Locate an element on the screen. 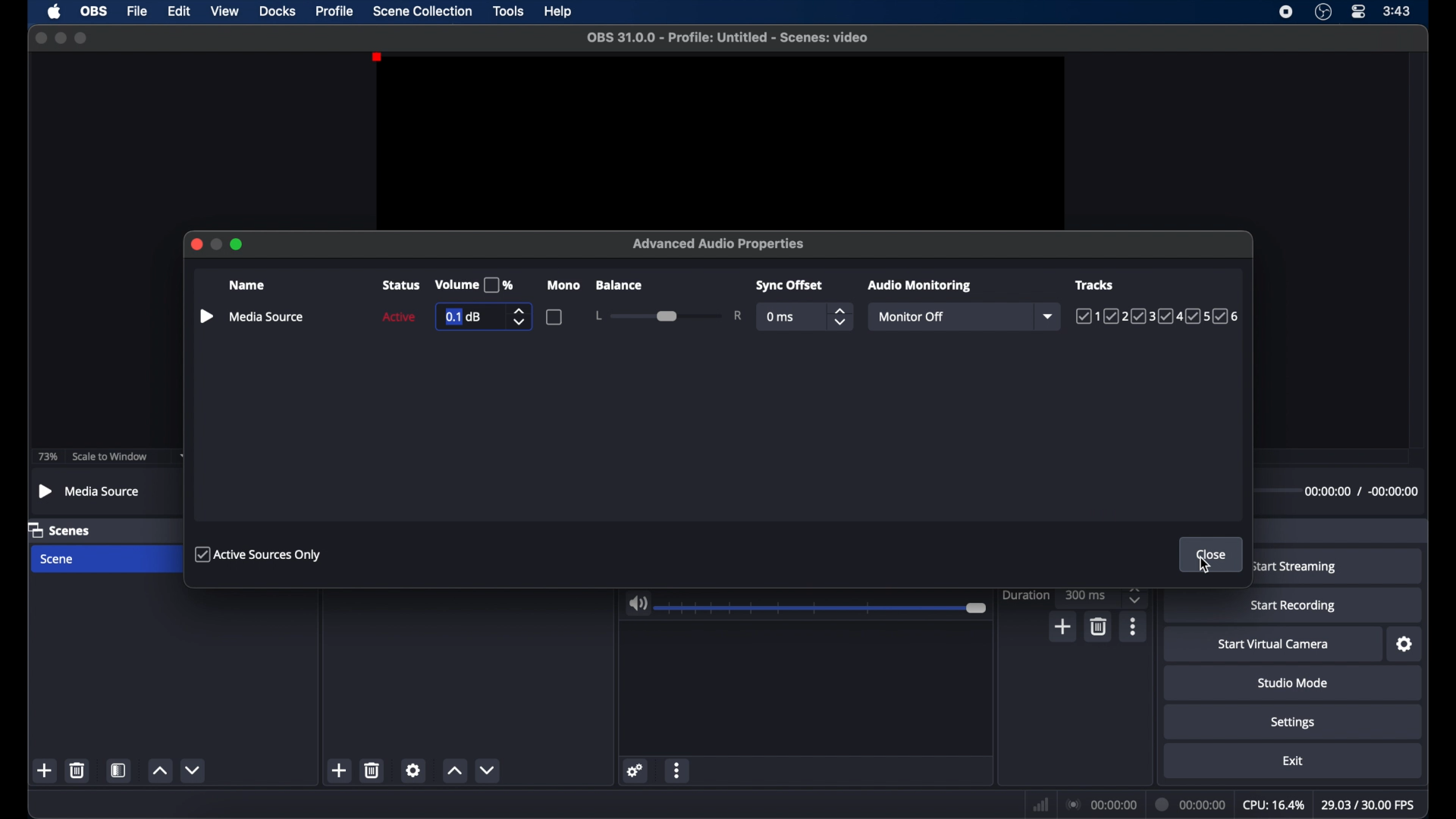 The height and width of the screenshot is (819, 1456). 29.03/30.00 fps is located at coordinates (1369, 805).